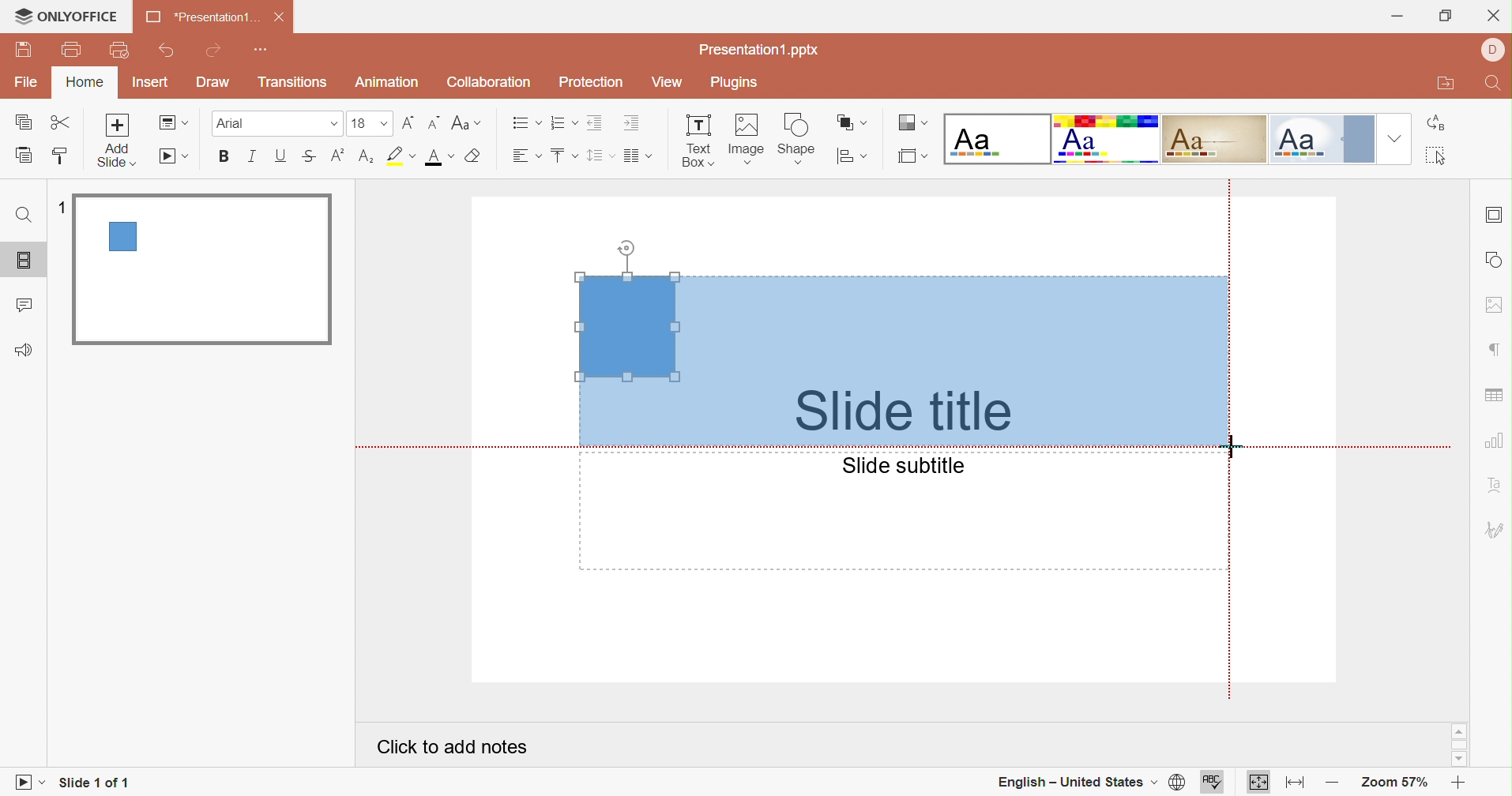  What do you see at coordinates (370, 123) in the screenshot?
I see `Font size` at bounding box center [370, 123].